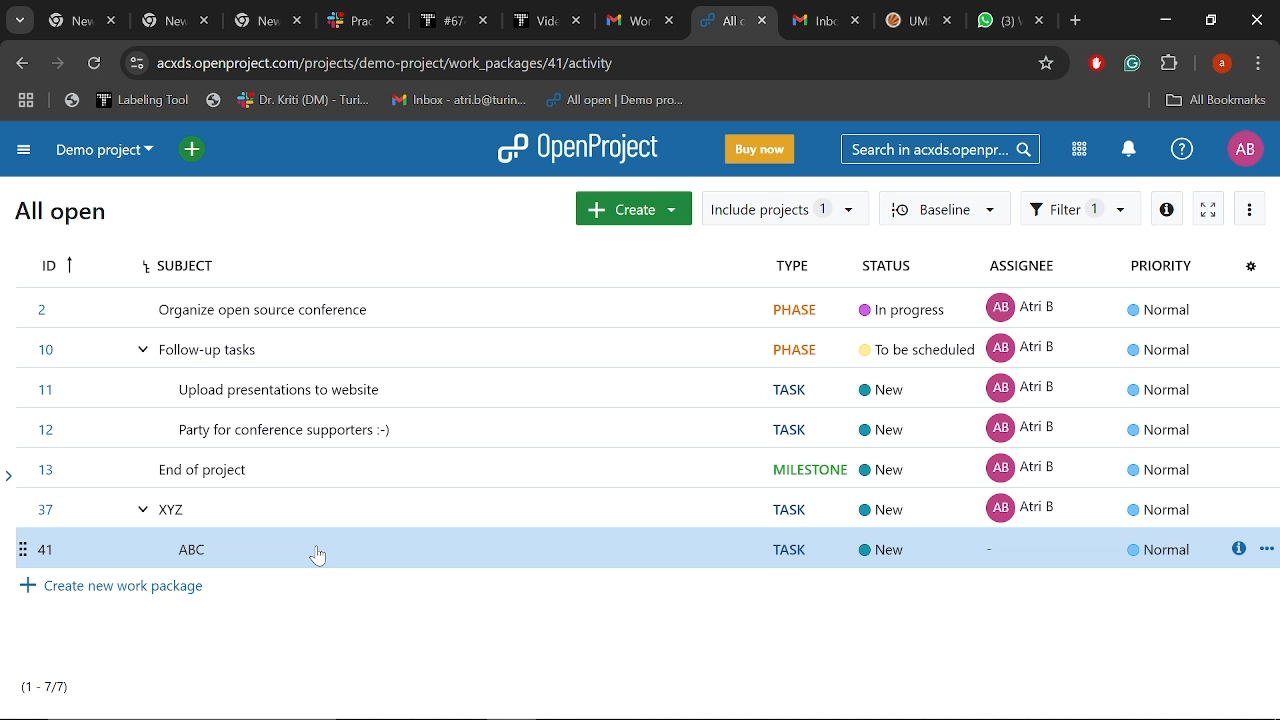  What do you see at coordinates (45, 687) in the screenshot?
I see `tasks count` at bounding box center [45, 687].